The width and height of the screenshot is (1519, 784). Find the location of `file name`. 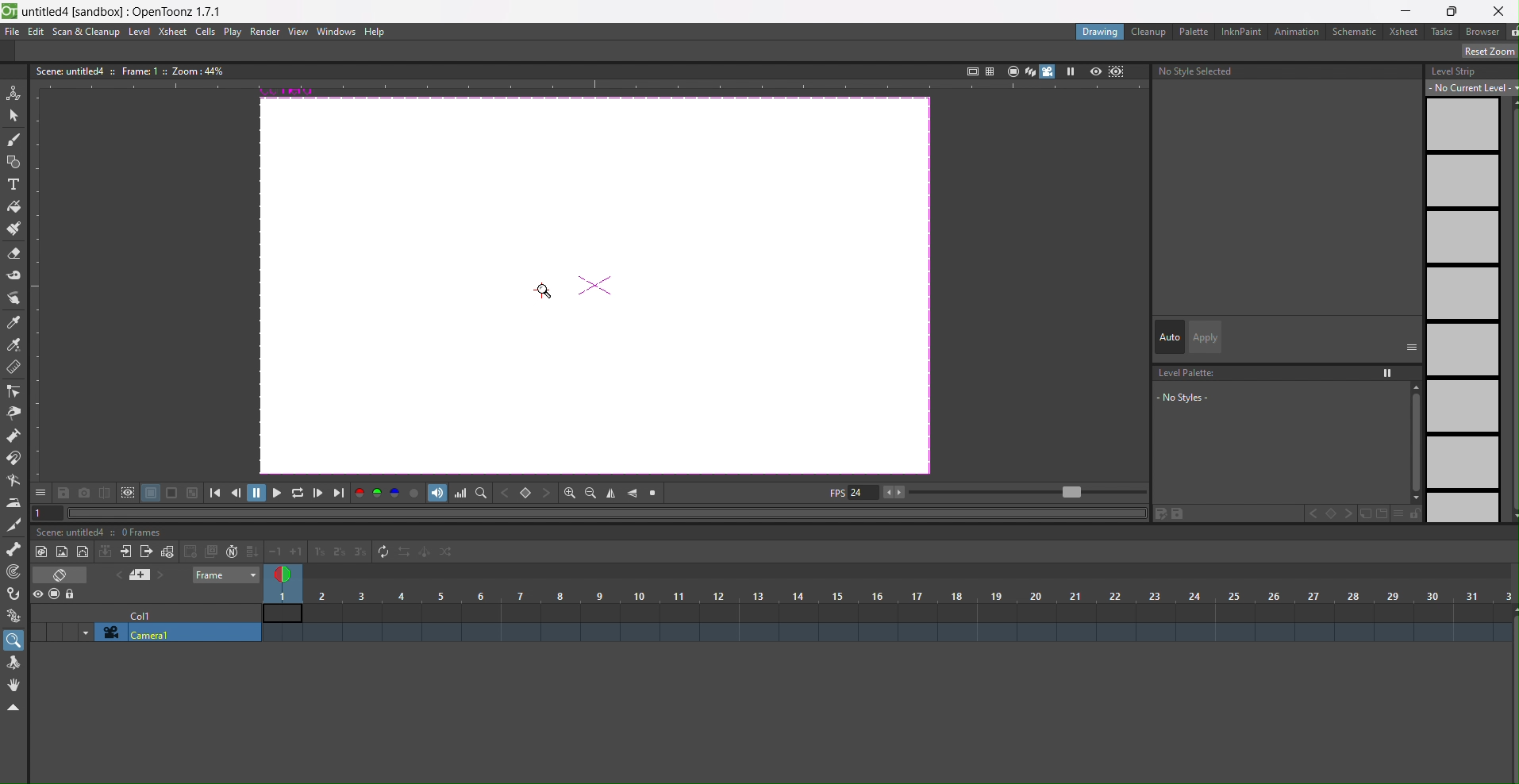

file name is located at coordinates (124, 10).